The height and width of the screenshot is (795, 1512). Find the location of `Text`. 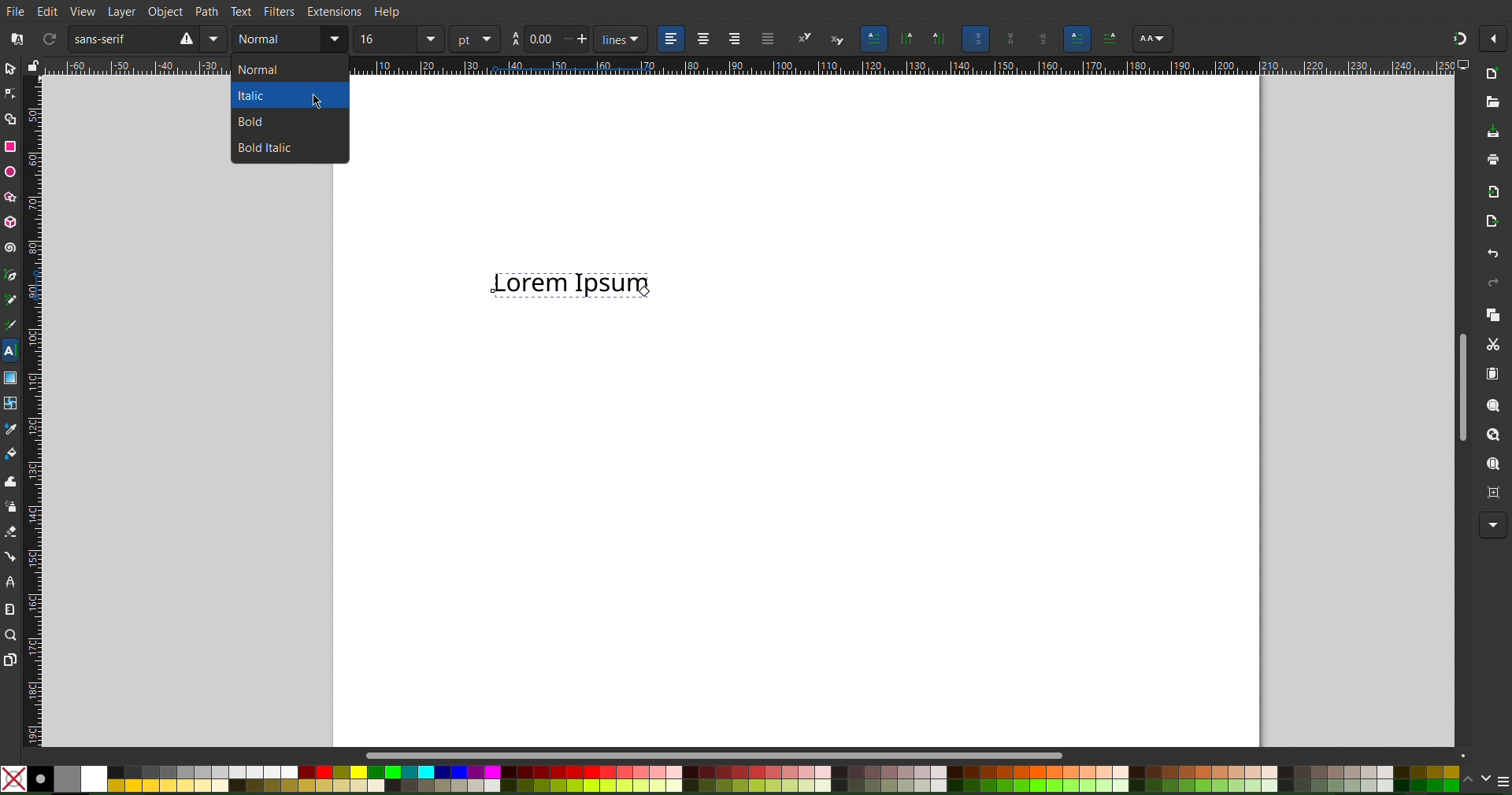

Text is located at coordinates (242, 11).